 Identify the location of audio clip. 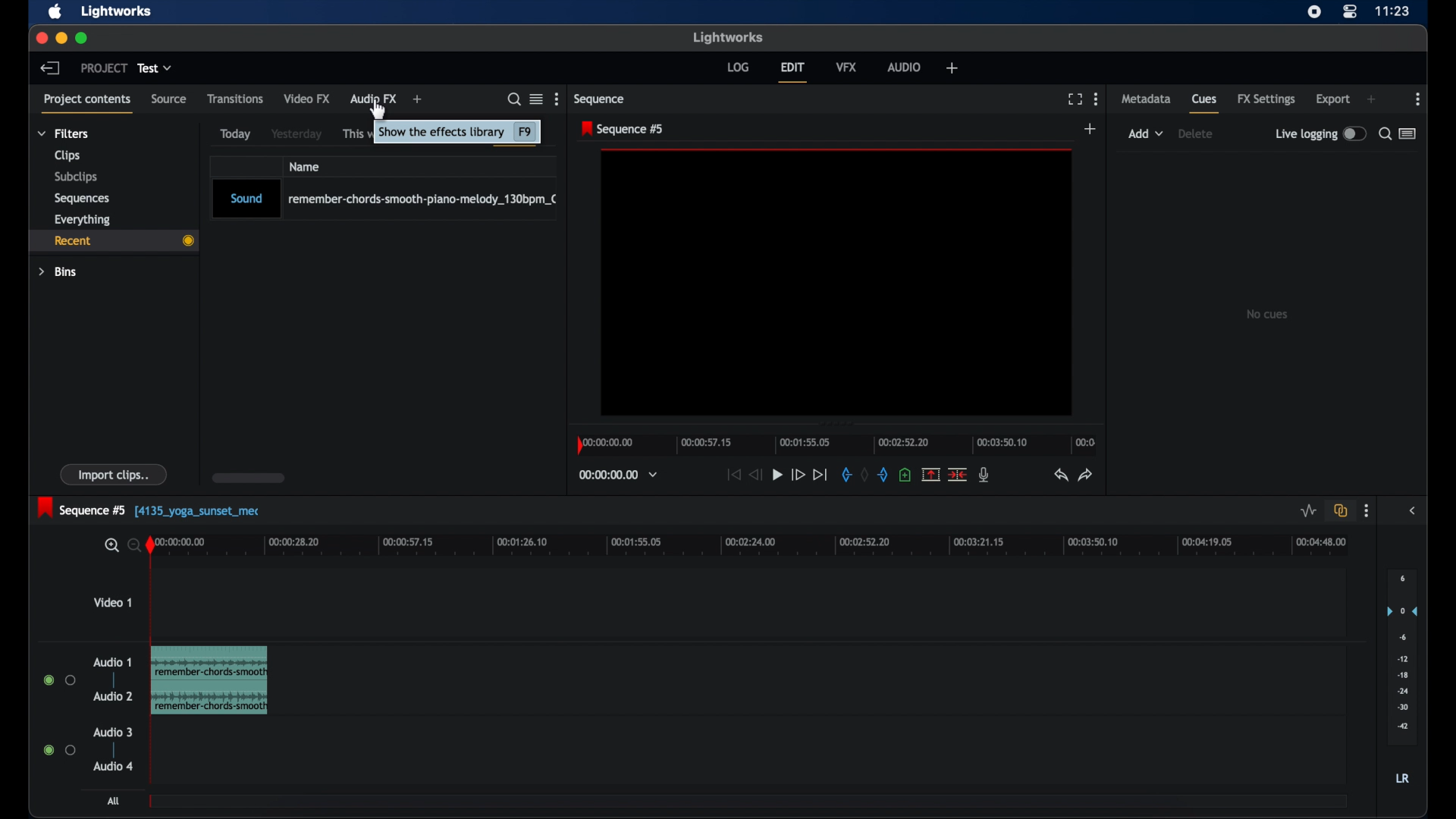
(384, 199).